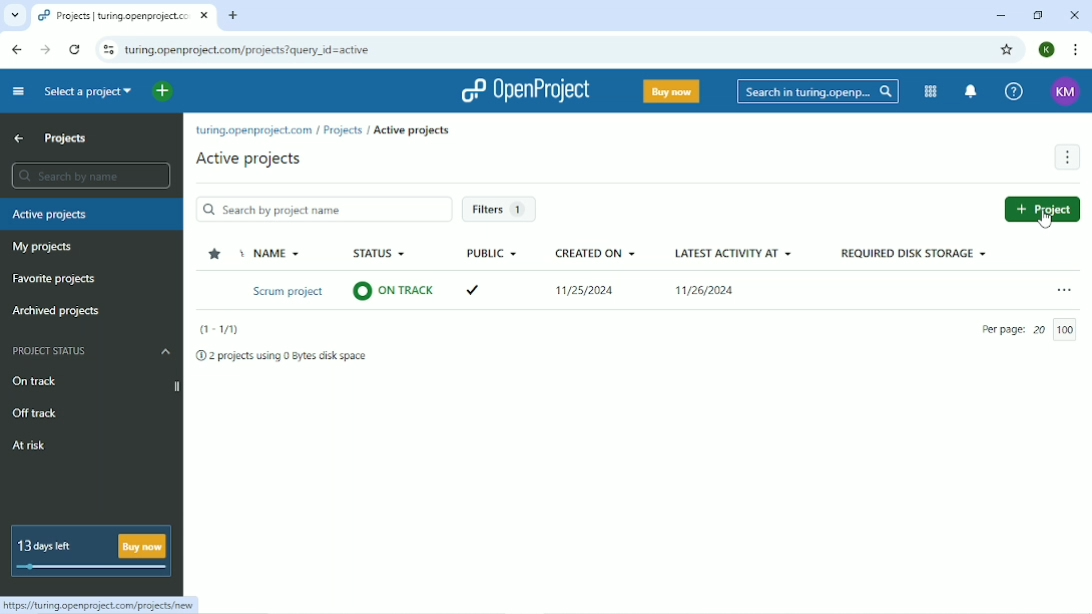 The width and height of the screenshot is (1092, 614). Describe the element at coordinates (92, 350) in the screenshot. I see `Project status` at that location.